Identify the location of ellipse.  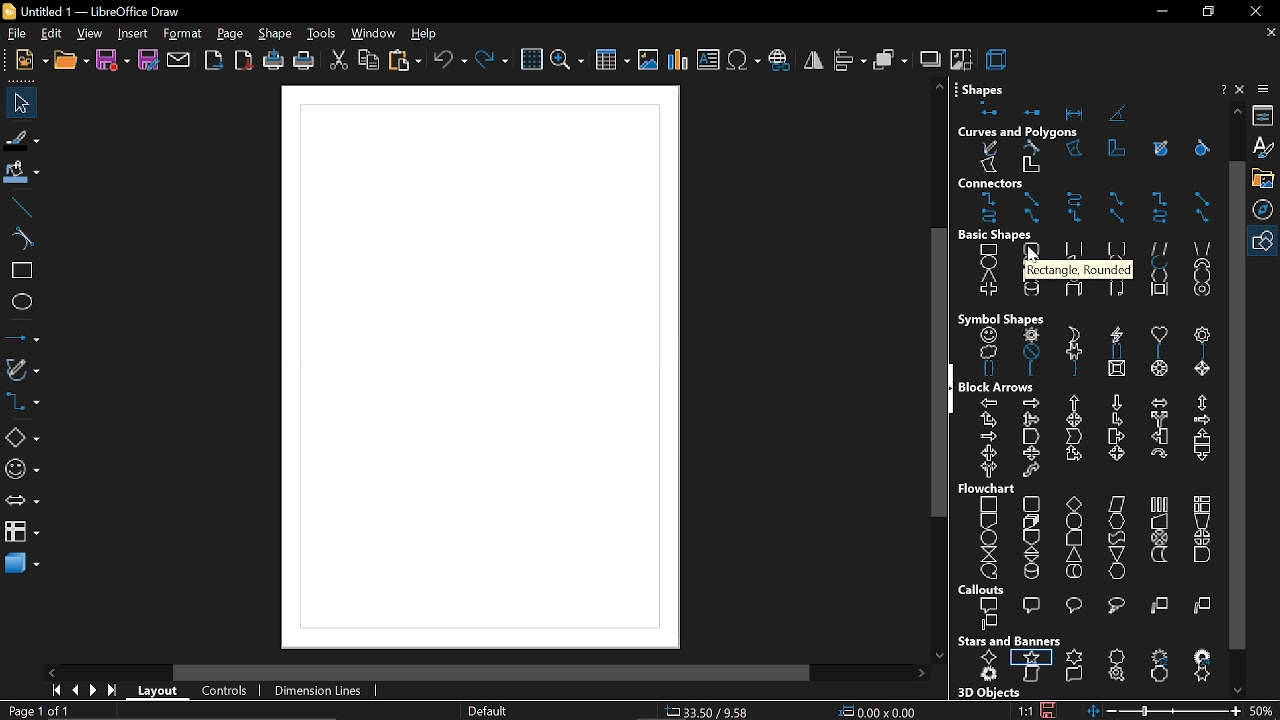
(22, 302).